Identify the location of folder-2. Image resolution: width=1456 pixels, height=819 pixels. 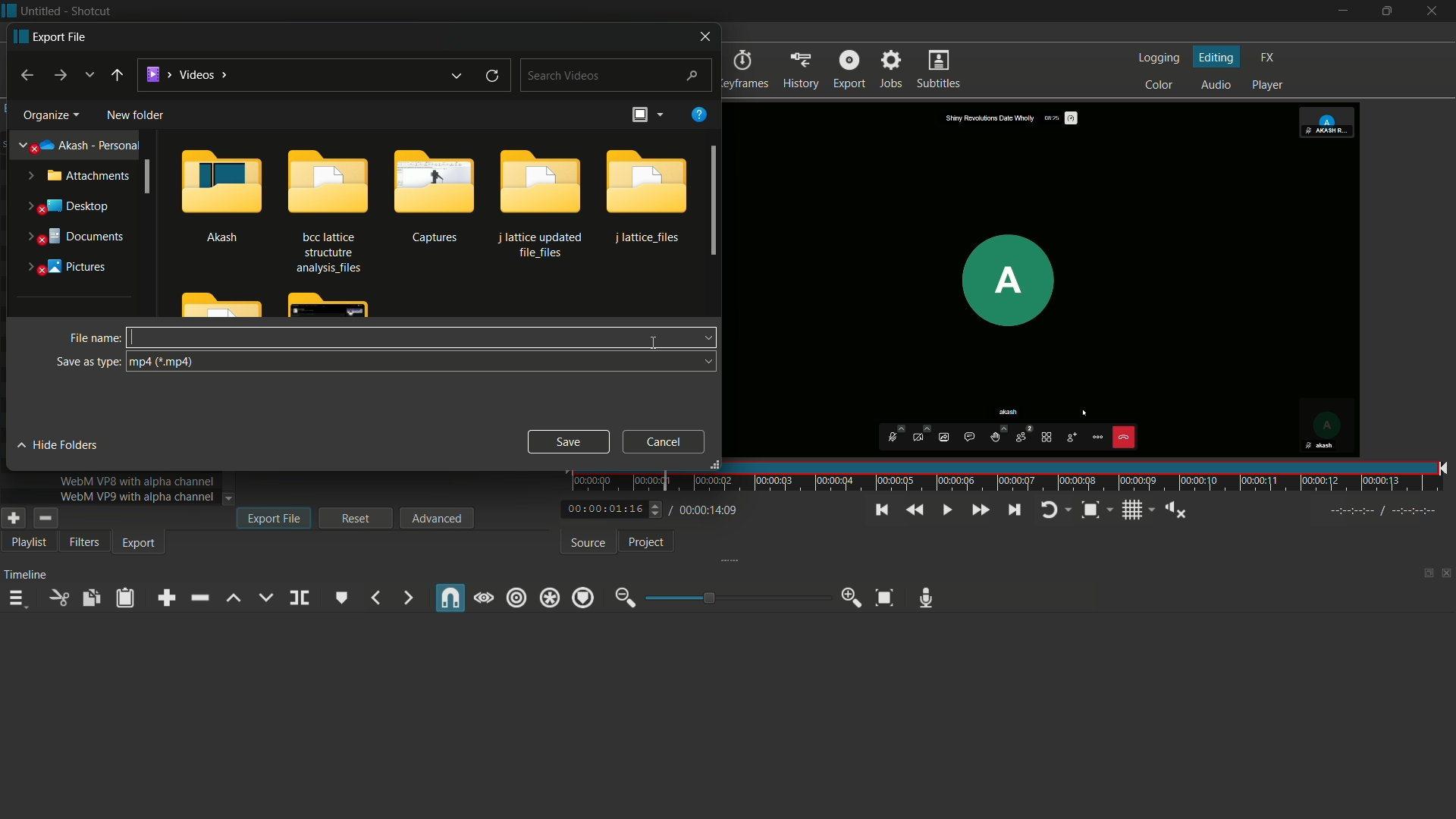
(325, 208).